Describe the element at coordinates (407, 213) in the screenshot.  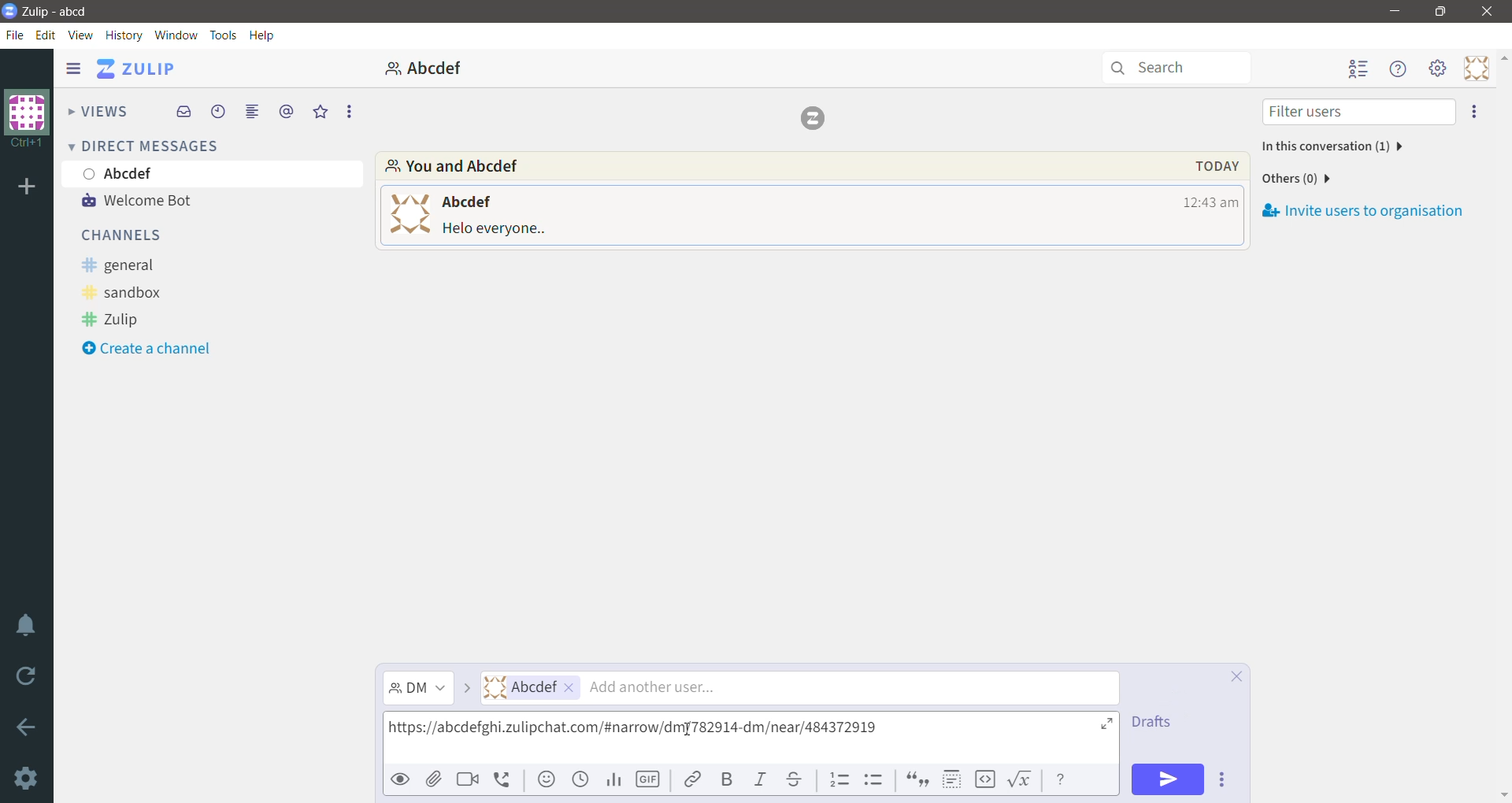
I see `user profile` at that location.